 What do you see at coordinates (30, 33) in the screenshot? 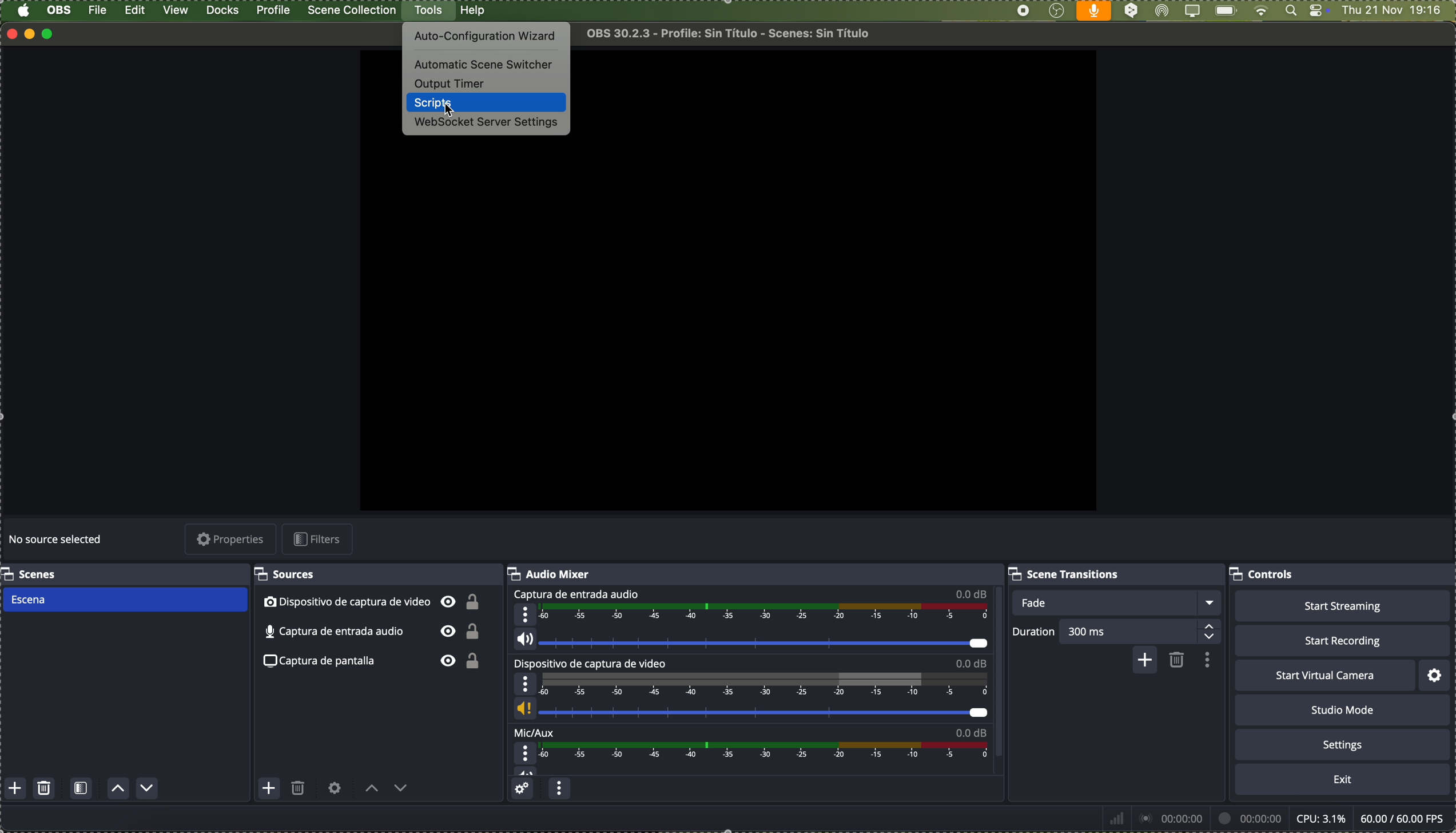
I see `minimize program` at bounding box center [30, 33].